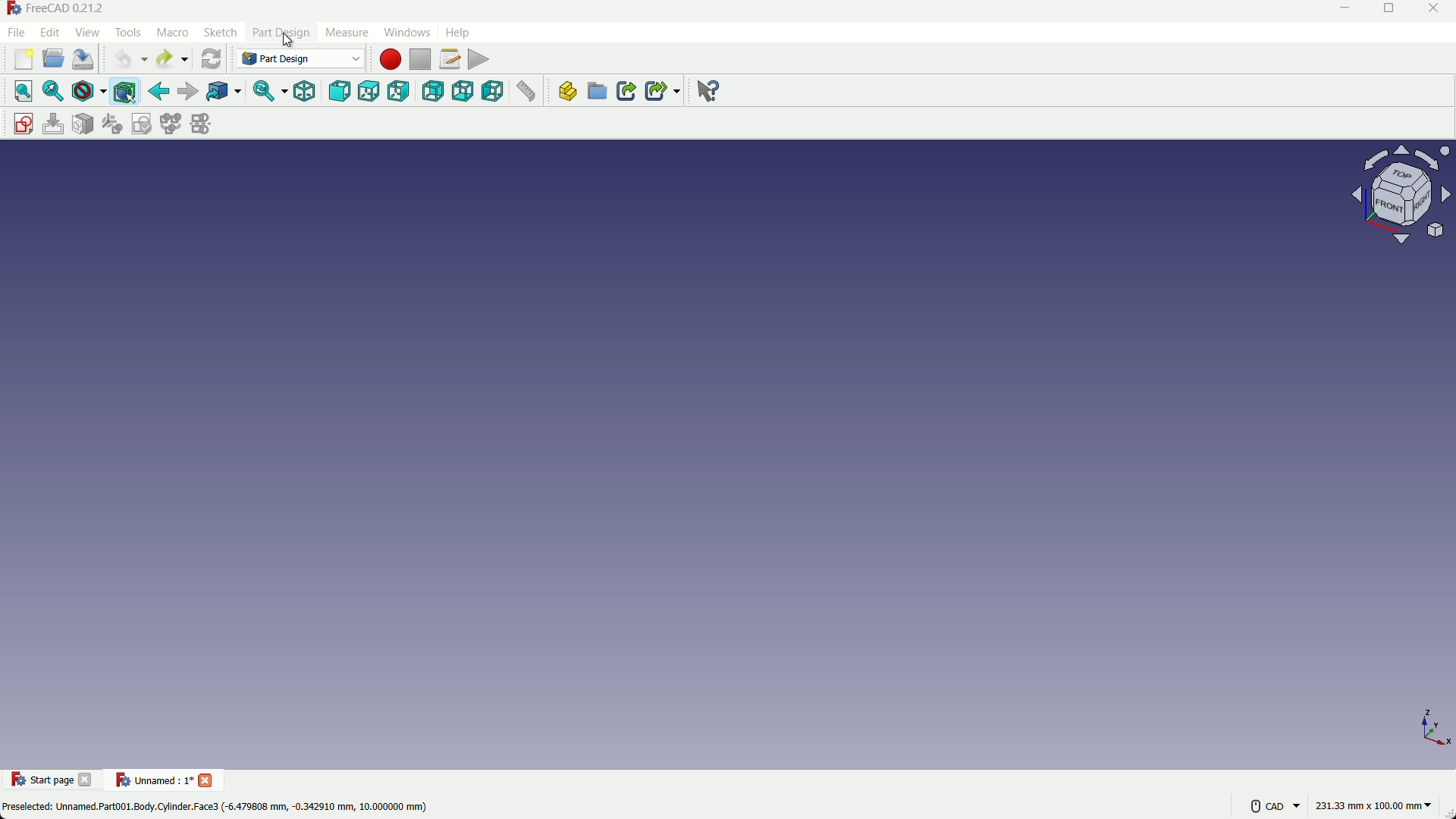 The width and height of the screenshot is (1456, 819). I want to click on help extension, so click(709, 93).